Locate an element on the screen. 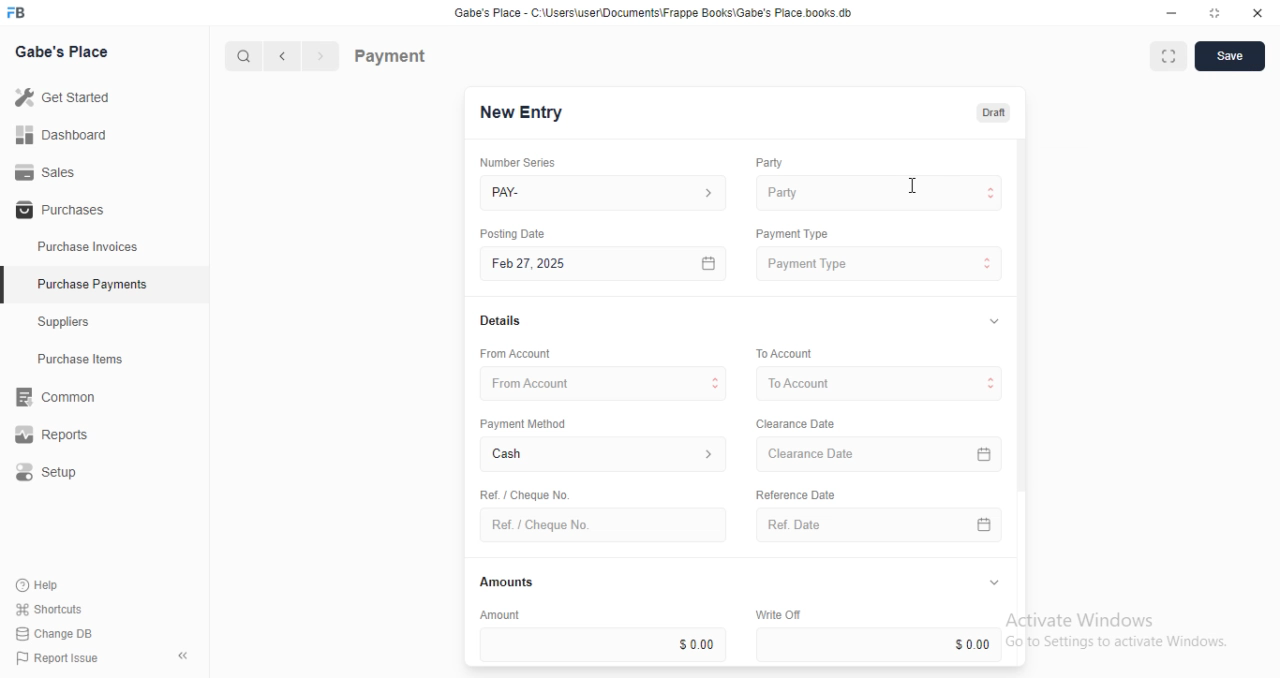 This screenshot has width=1280, height=678. vertical scroll bar is located at coordinates (1022, 403).